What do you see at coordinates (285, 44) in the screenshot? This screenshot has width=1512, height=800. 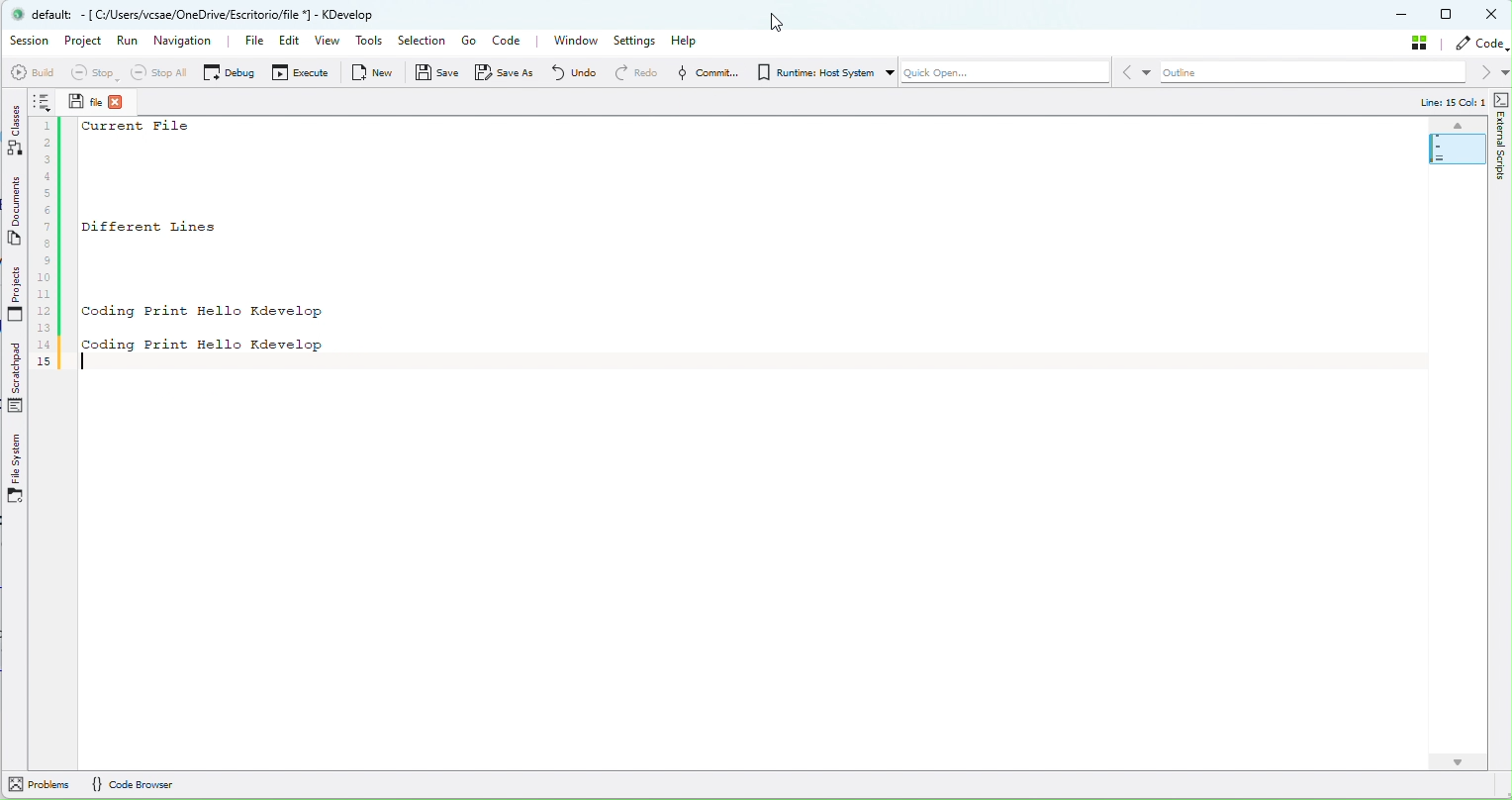 I see `Edit` at bounding box center [285, 44].